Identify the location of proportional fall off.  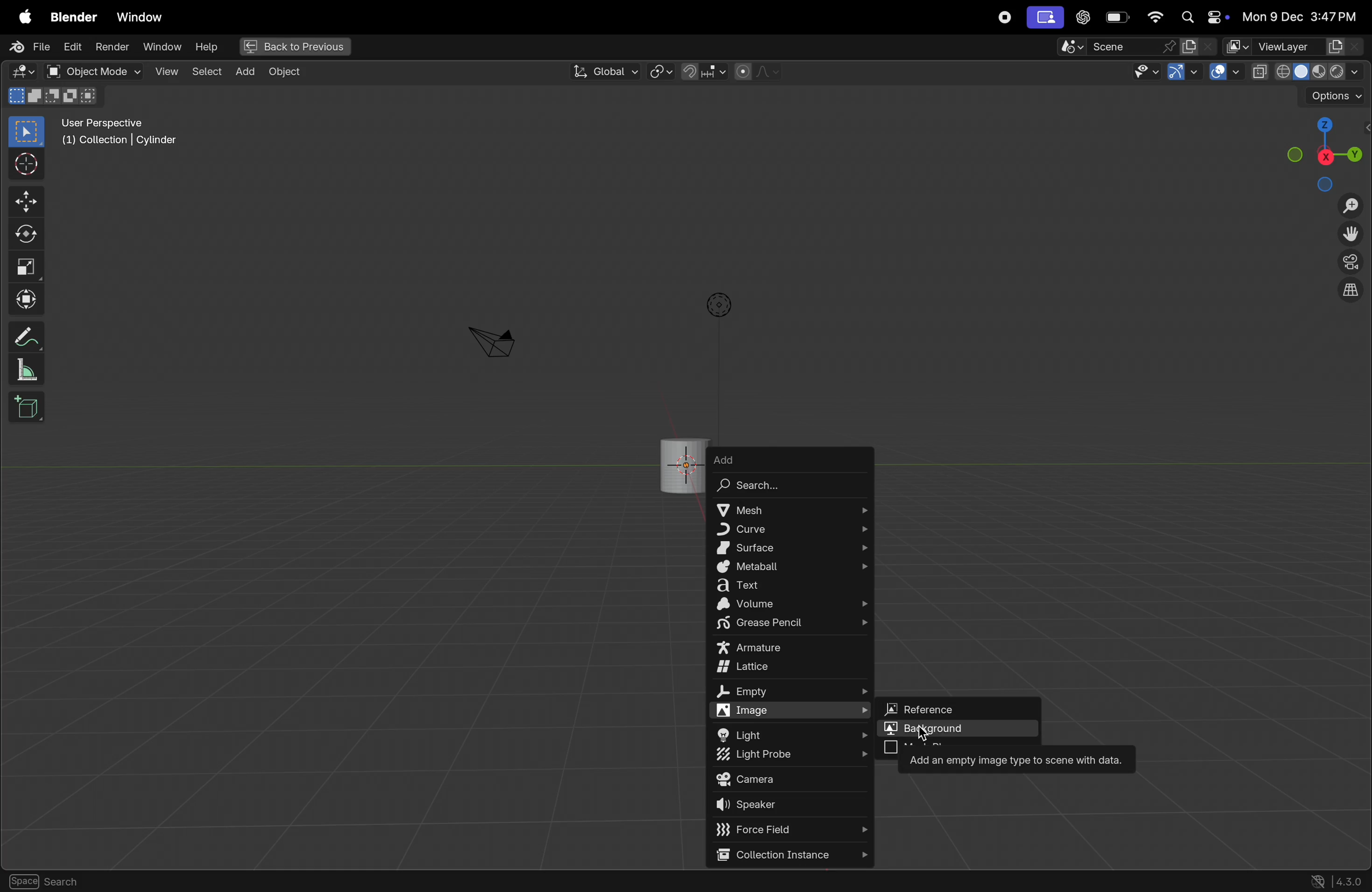
(756, 72).